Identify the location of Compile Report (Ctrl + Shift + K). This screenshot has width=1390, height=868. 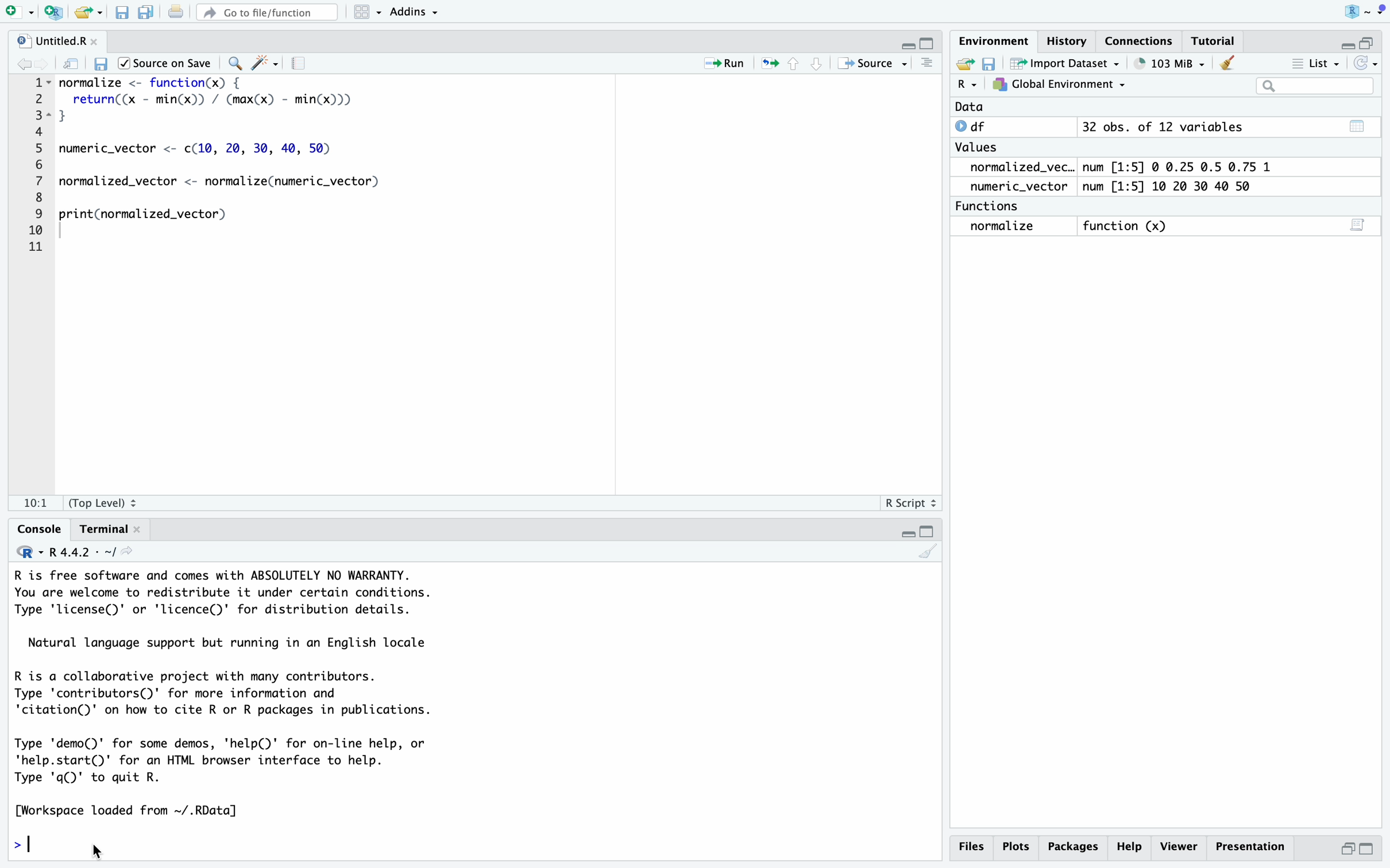
(302, 62).